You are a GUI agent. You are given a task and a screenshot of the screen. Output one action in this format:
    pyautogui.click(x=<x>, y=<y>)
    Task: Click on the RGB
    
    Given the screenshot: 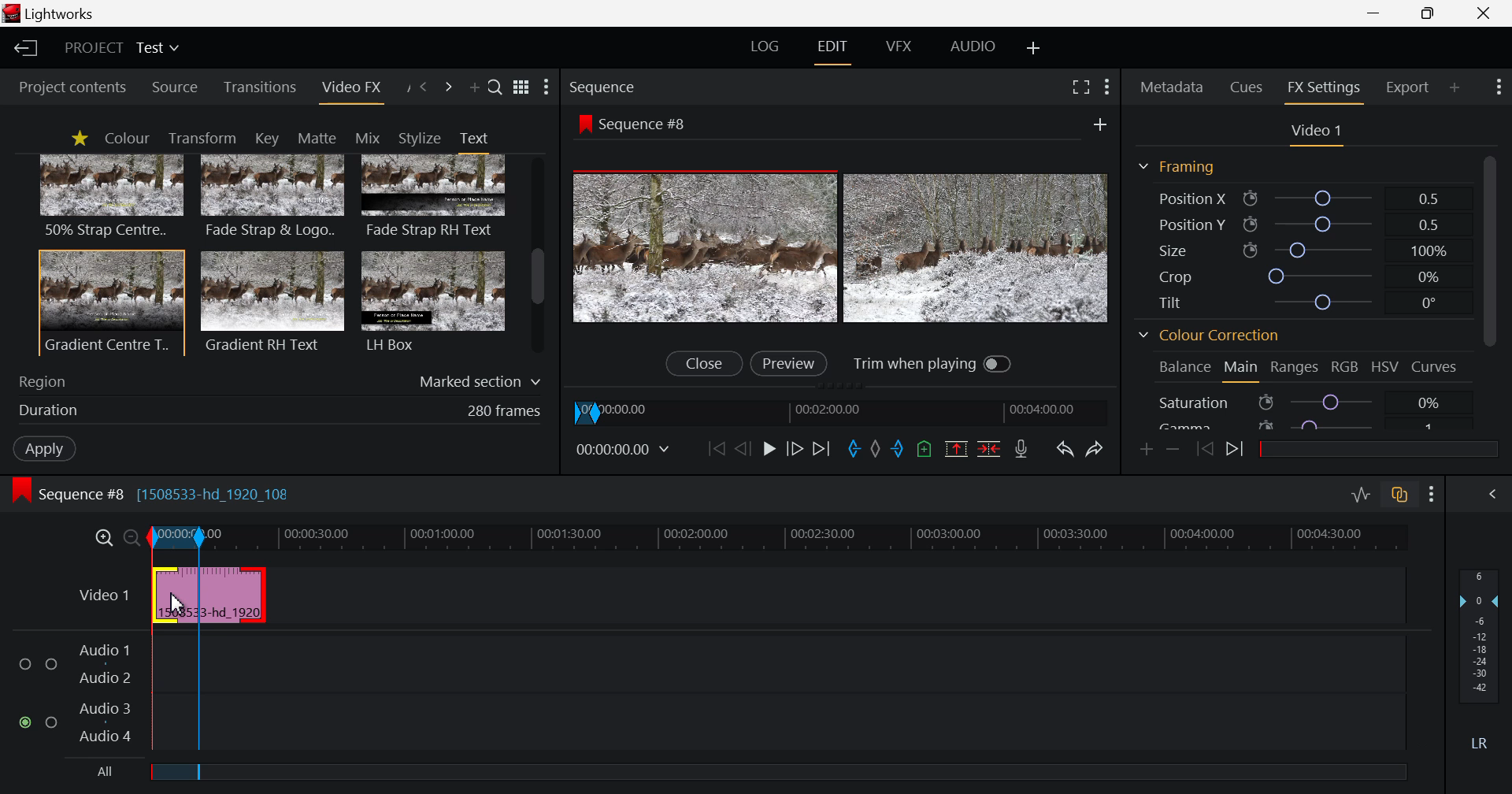 What is the action you would take?
    pyautogui.click(x=1345, y=369)
    